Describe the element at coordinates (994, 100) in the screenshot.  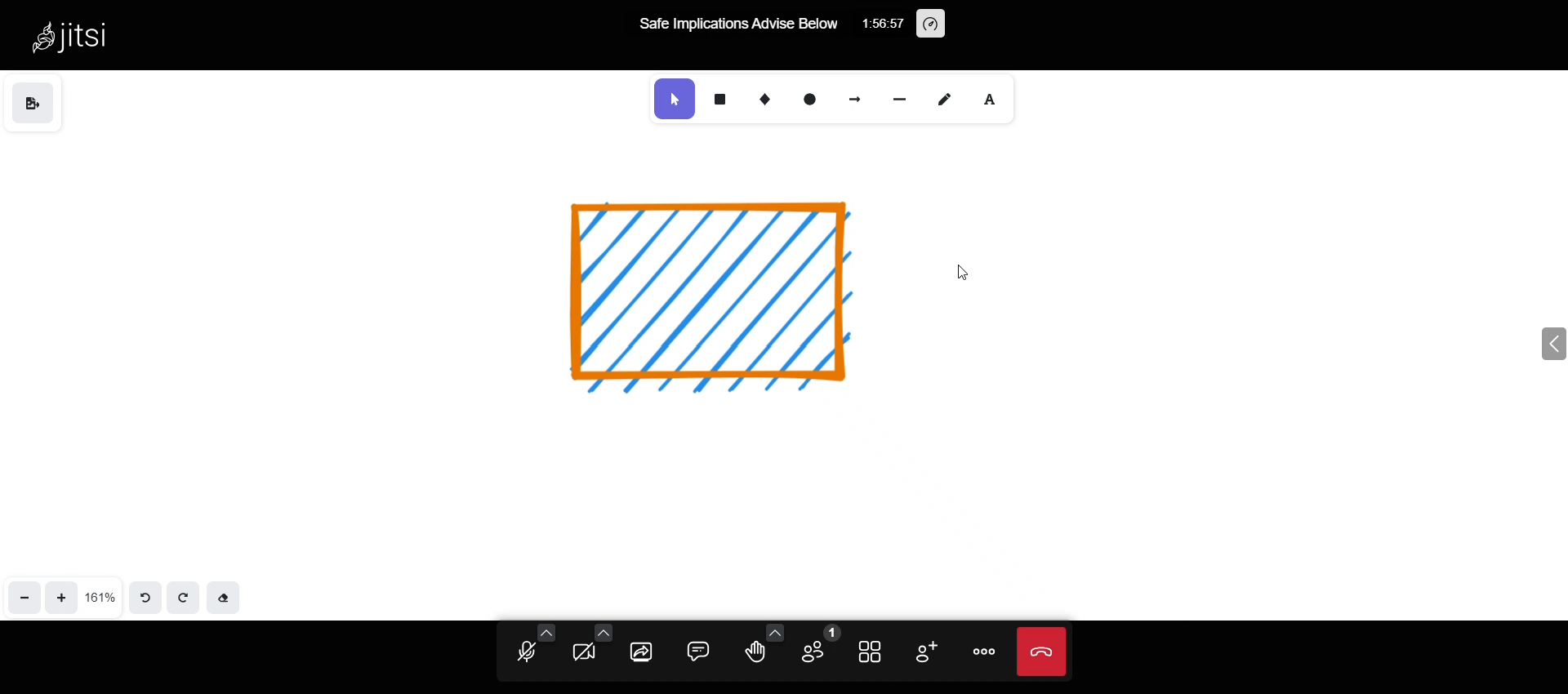
I see `font` at that location.